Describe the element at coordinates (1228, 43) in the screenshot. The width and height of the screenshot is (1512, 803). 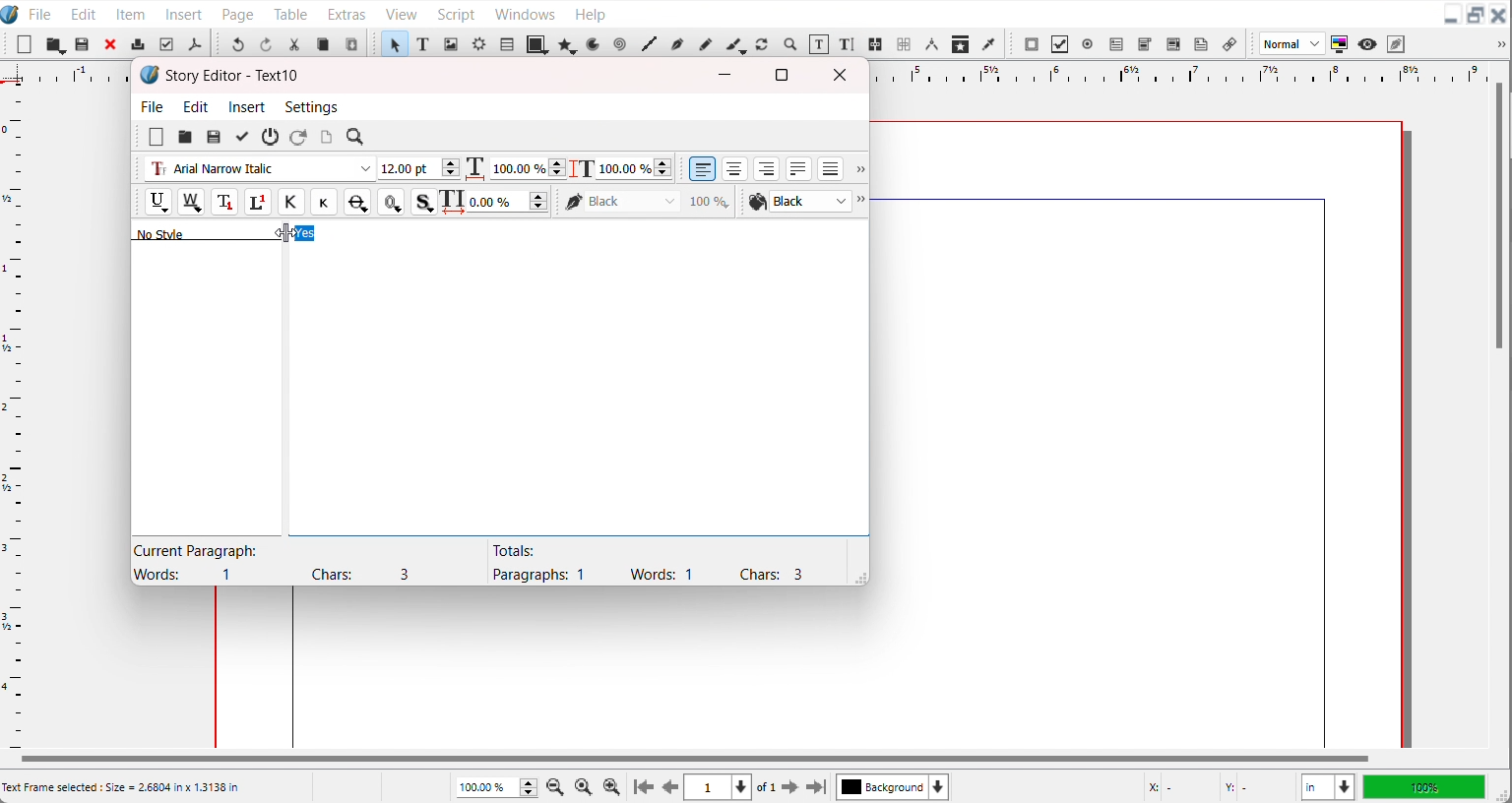
I see `List Annotation` at that location.